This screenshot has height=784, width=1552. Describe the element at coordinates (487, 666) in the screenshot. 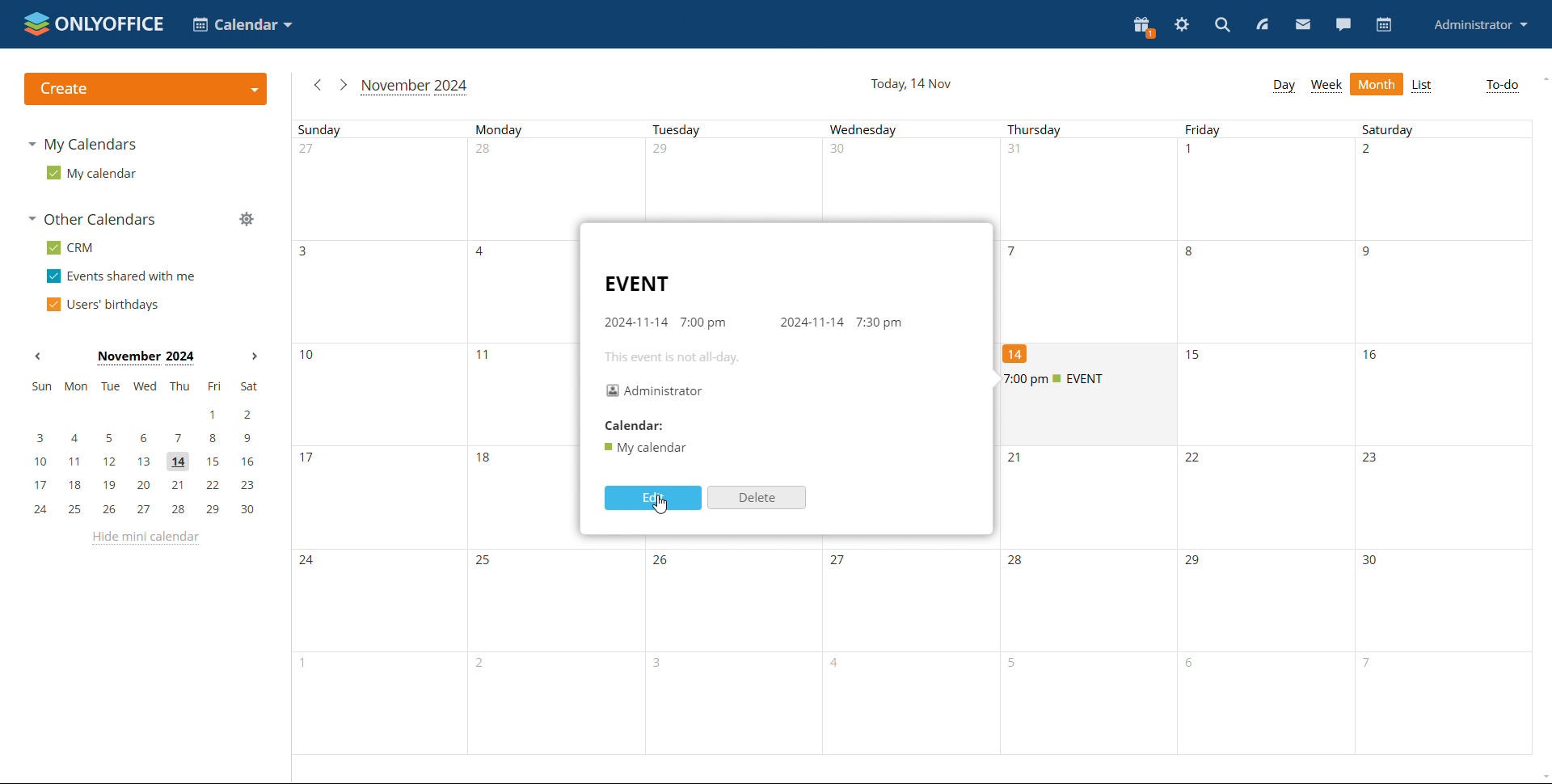

I see `number` at that location.